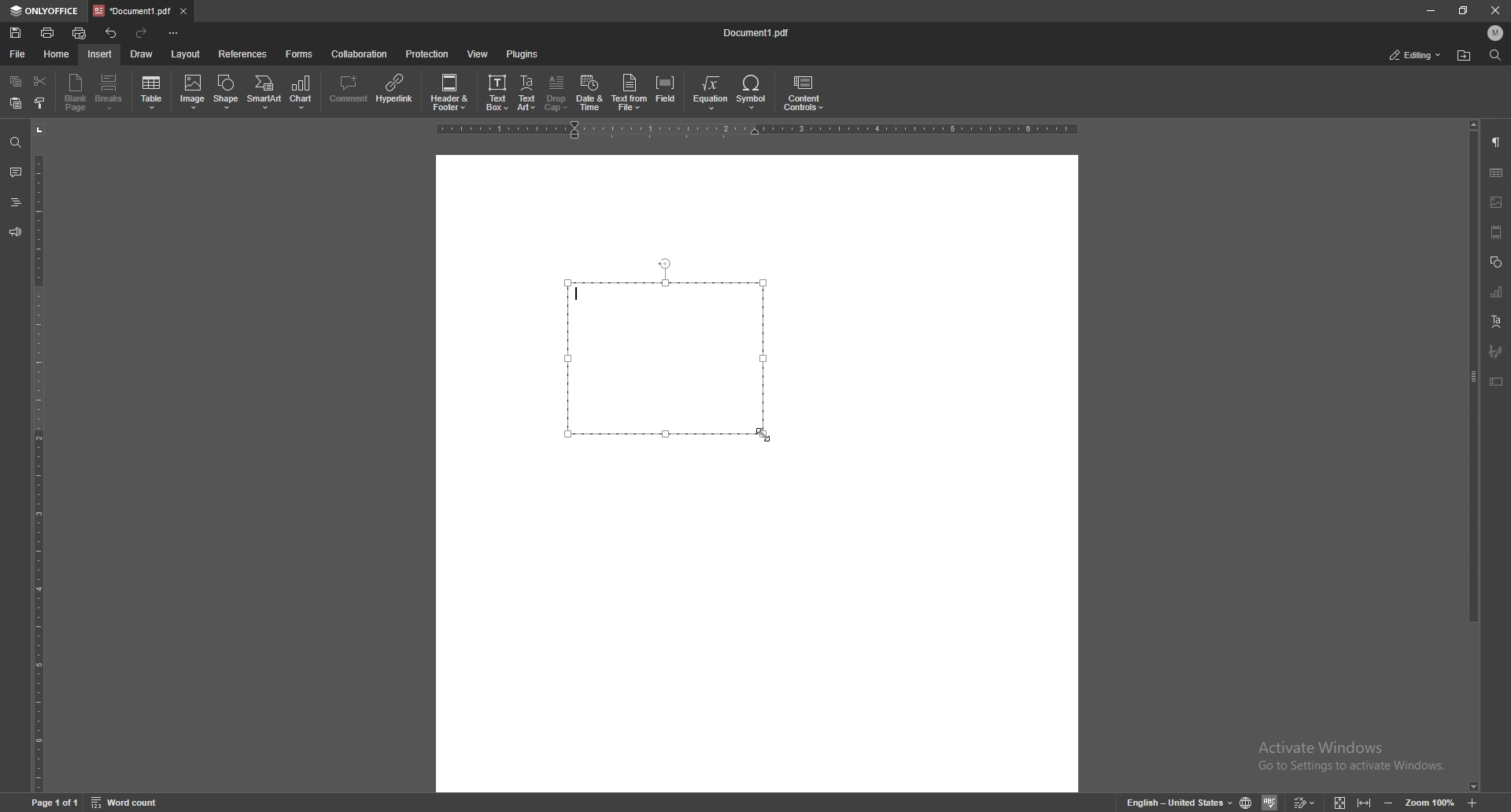 This screenshot has width=1511, height=812. What do you see at coordinates (15, 202) in the screenshot?
I see `headings` at bounding box center [15, 202].